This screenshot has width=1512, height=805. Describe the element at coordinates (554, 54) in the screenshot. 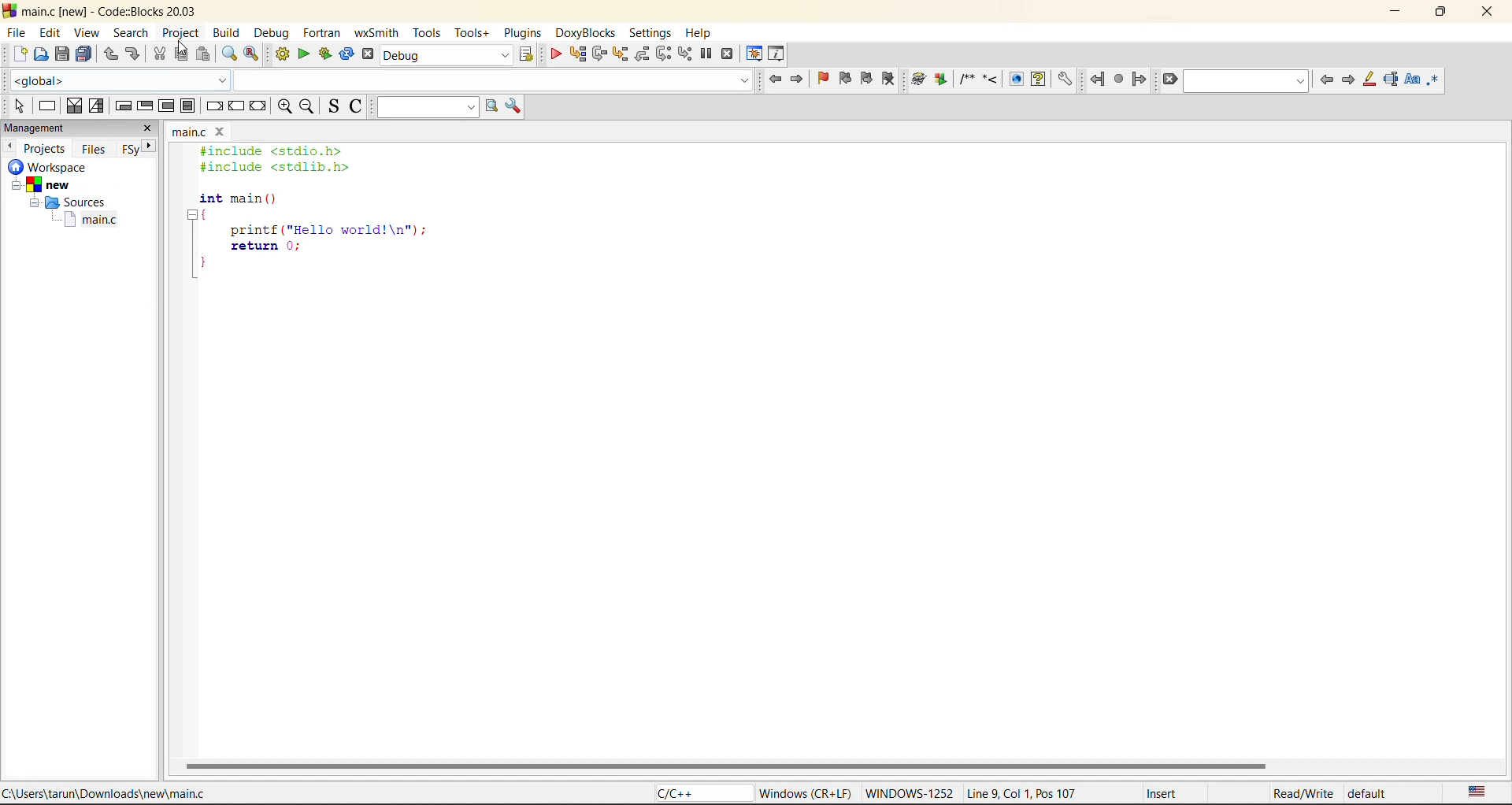

I see `debug` at that location.